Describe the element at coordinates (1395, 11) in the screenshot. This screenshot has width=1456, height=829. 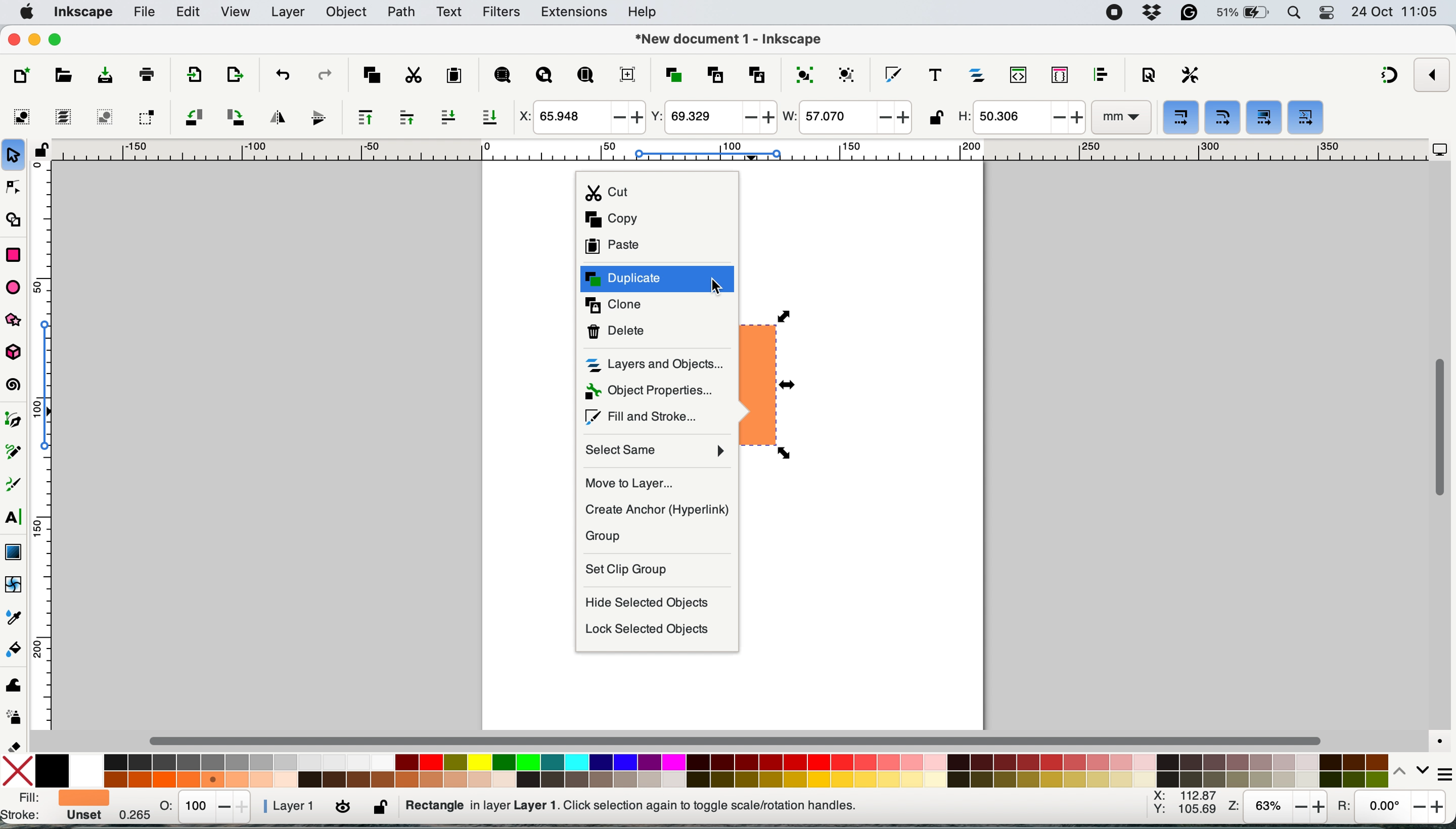
I see `date and time` at that location.